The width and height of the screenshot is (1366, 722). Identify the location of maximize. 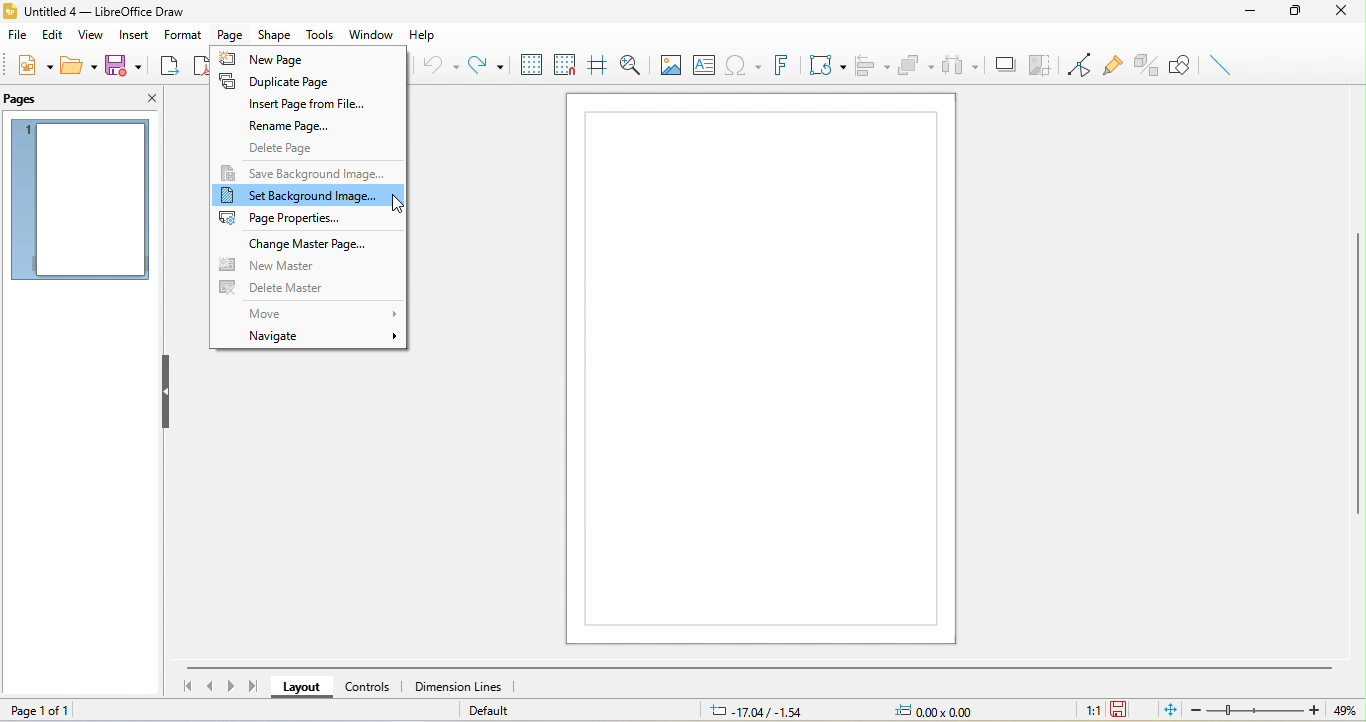
(1299, 13).